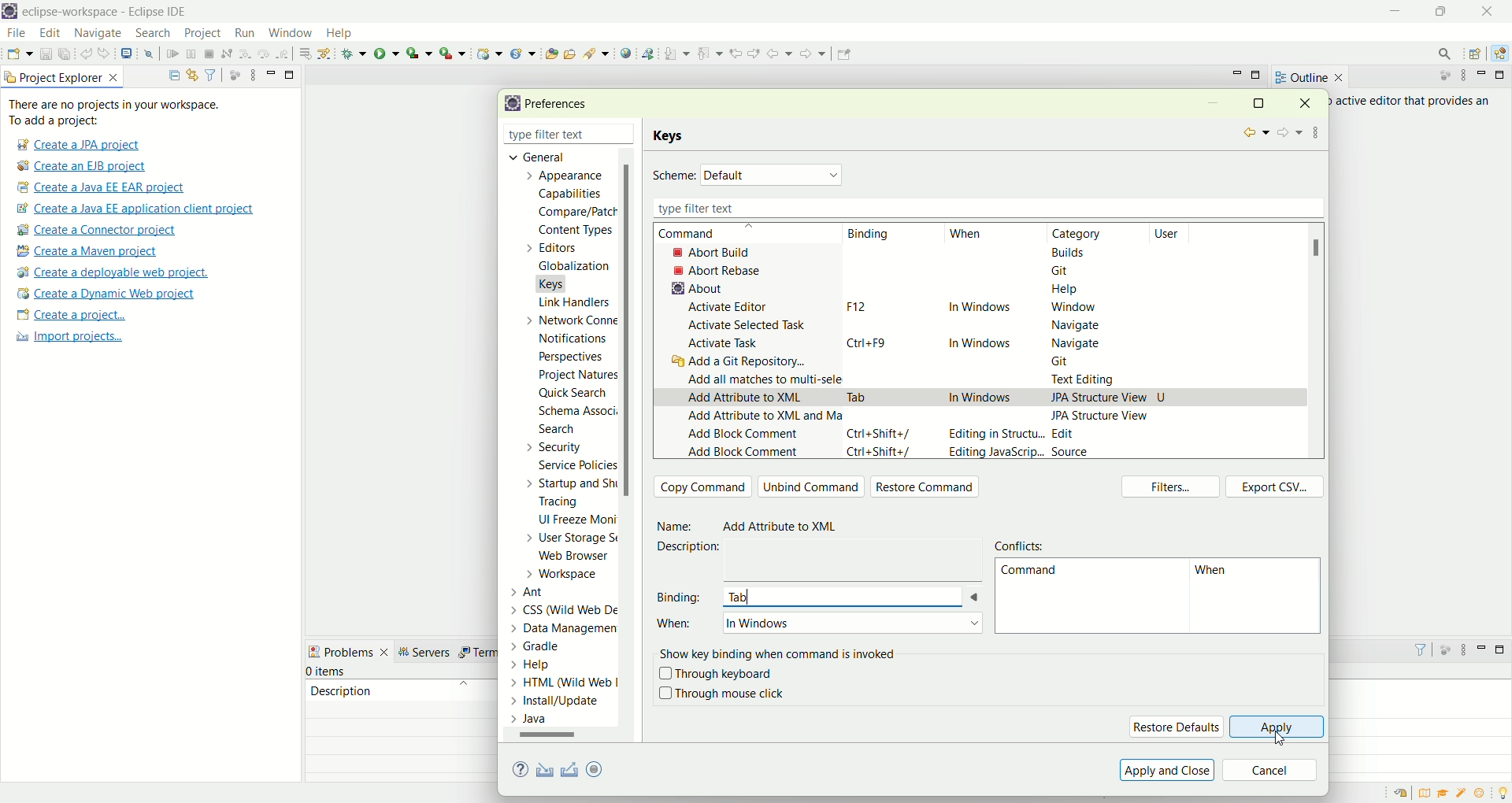 The image size is (1512, 803). Describe the element at coordinates (83, 167) in the screenshot. I see `create a EJB project` at that location.